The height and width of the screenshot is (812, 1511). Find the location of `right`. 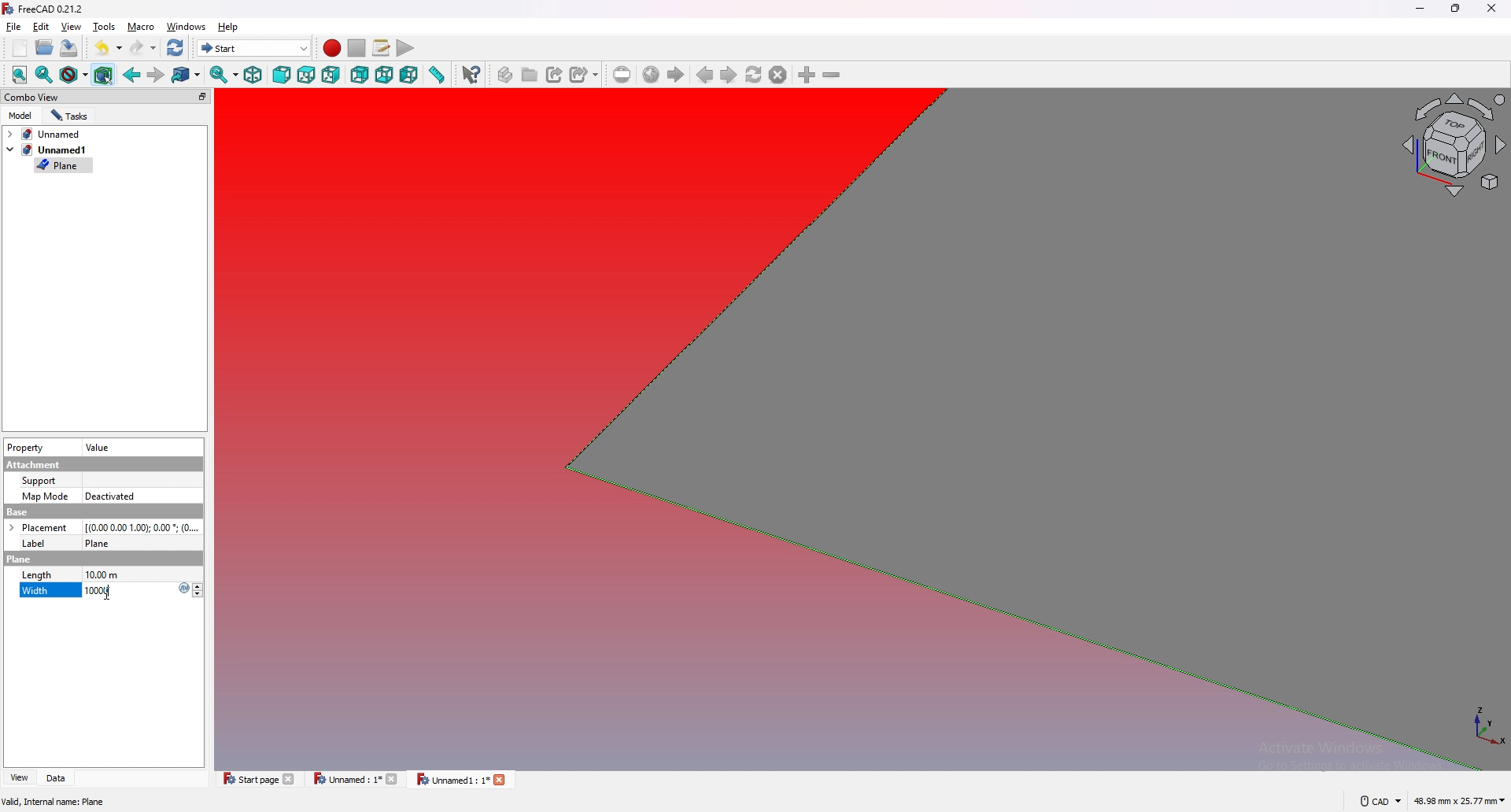

right is located at coordinates (331, 75).